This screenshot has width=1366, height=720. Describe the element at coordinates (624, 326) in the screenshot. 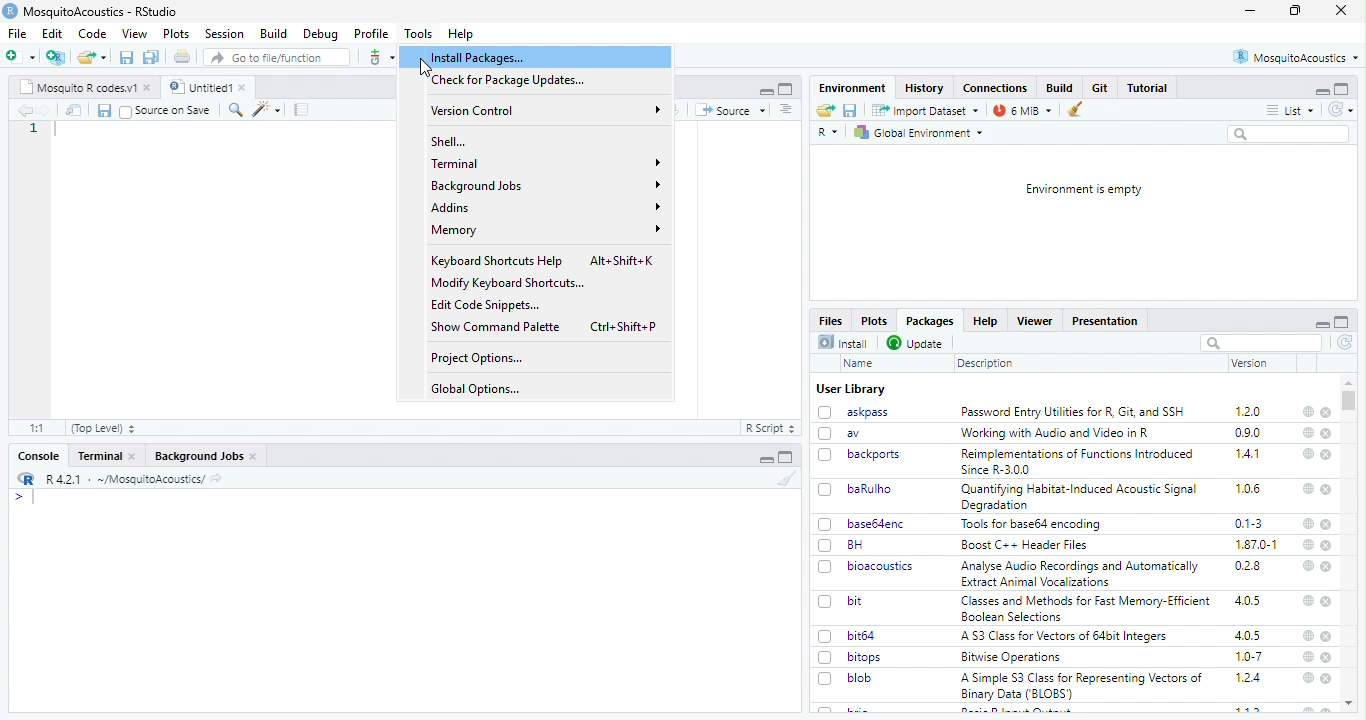

I see `Ctrl+Shift+P` at that location.